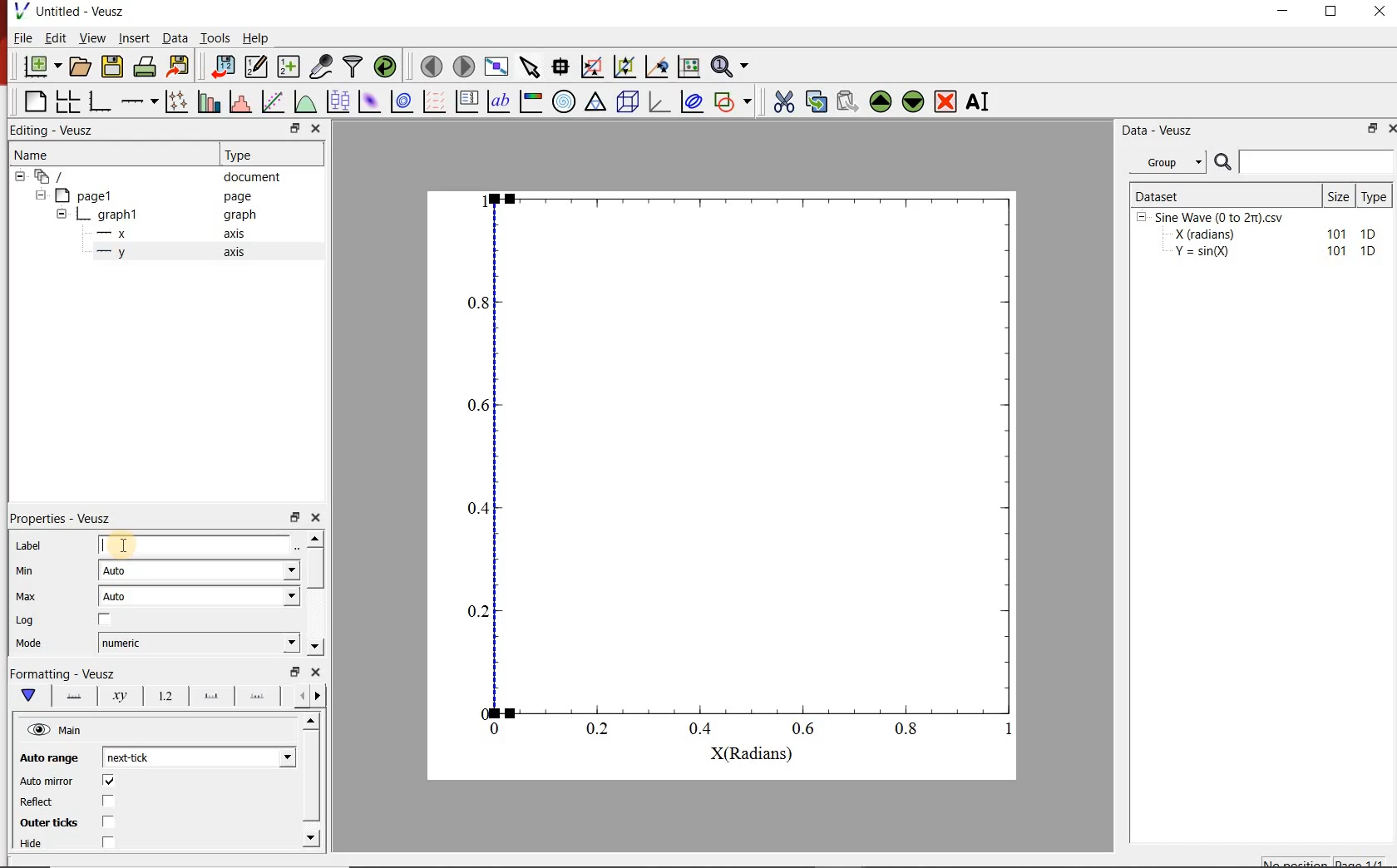 Image resolution: width=1397 pixels, height=868 pixels. What do you see at coordinates (30, 153) in the screenshot?
I see `Name` at bounding box center [30, 153].